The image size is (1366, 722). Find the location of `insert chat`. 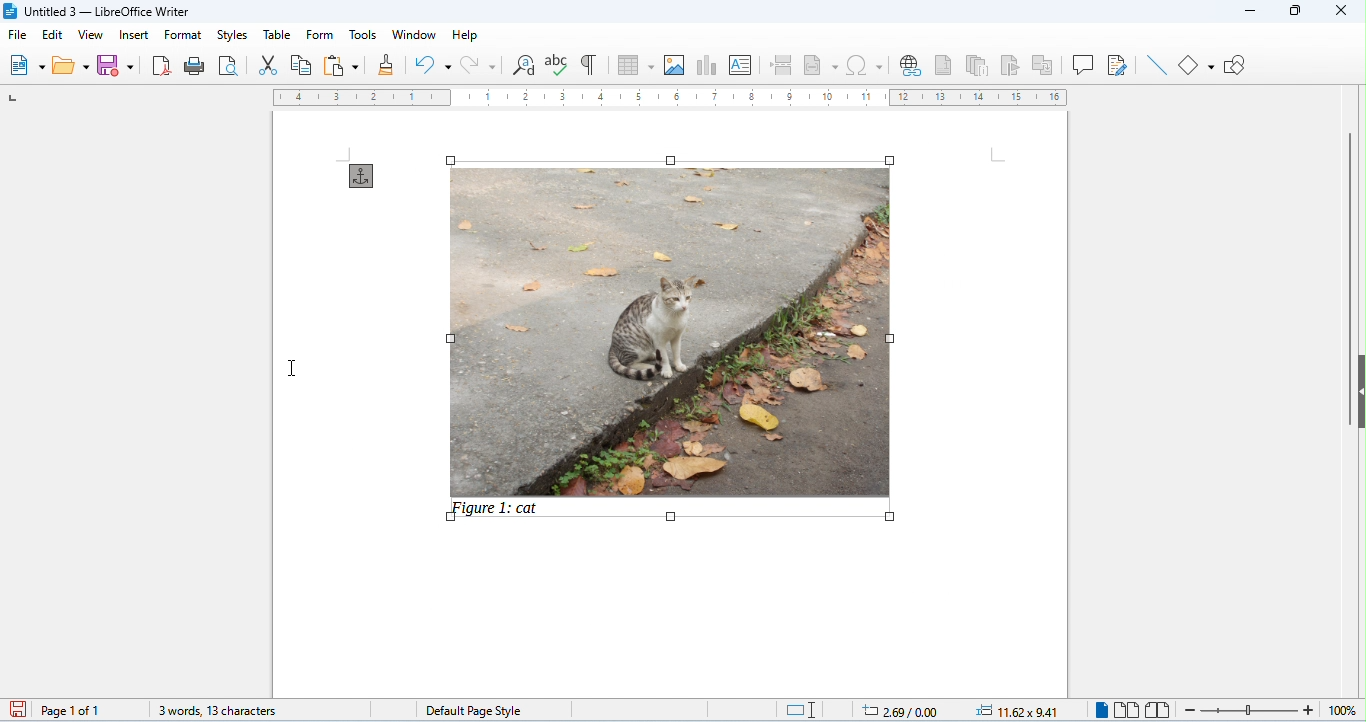

insert chat is located at coordinates (707, 67).